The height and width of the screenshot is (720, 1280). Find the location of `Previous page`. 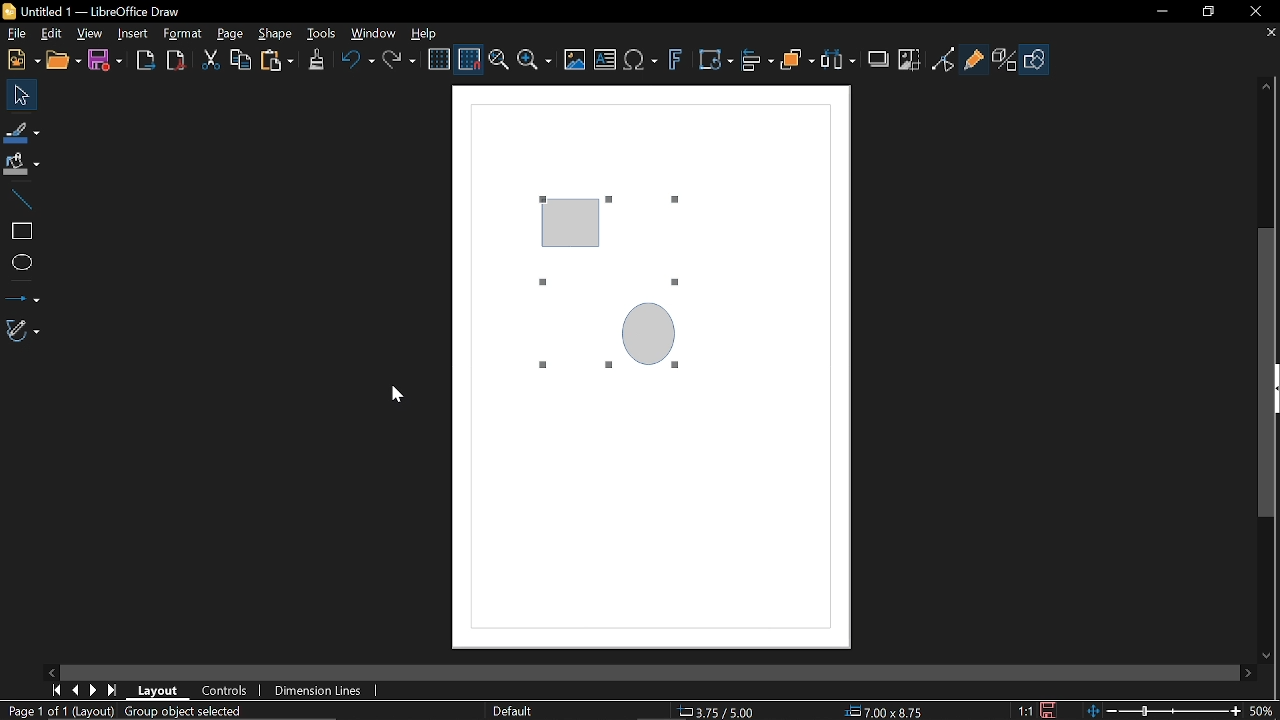

Previous page is located at coordinates (78, 690).